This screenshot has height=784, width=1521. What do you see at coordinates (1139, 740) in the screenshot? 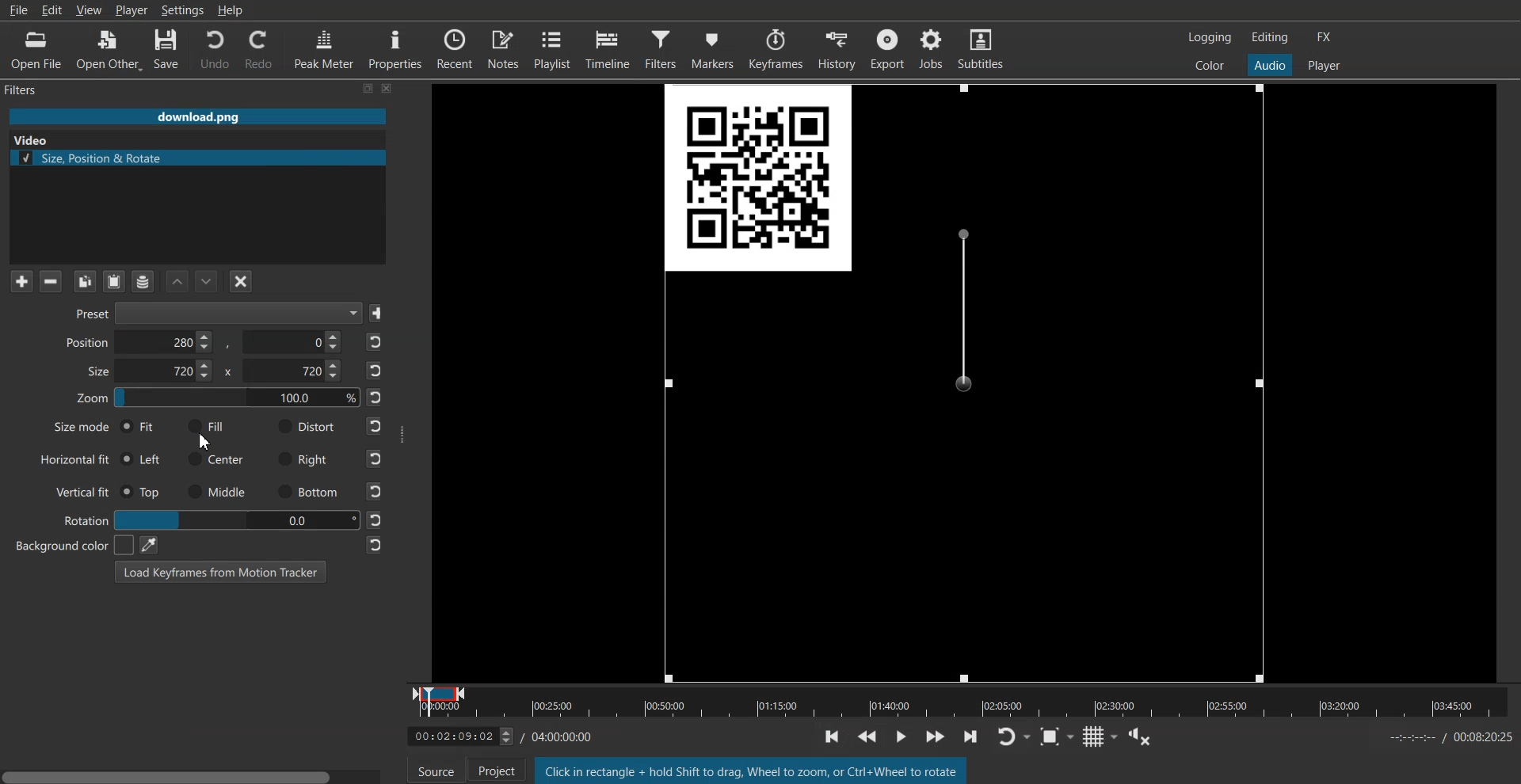
I see `Show the volume control` at bounding box center [1139, 740].